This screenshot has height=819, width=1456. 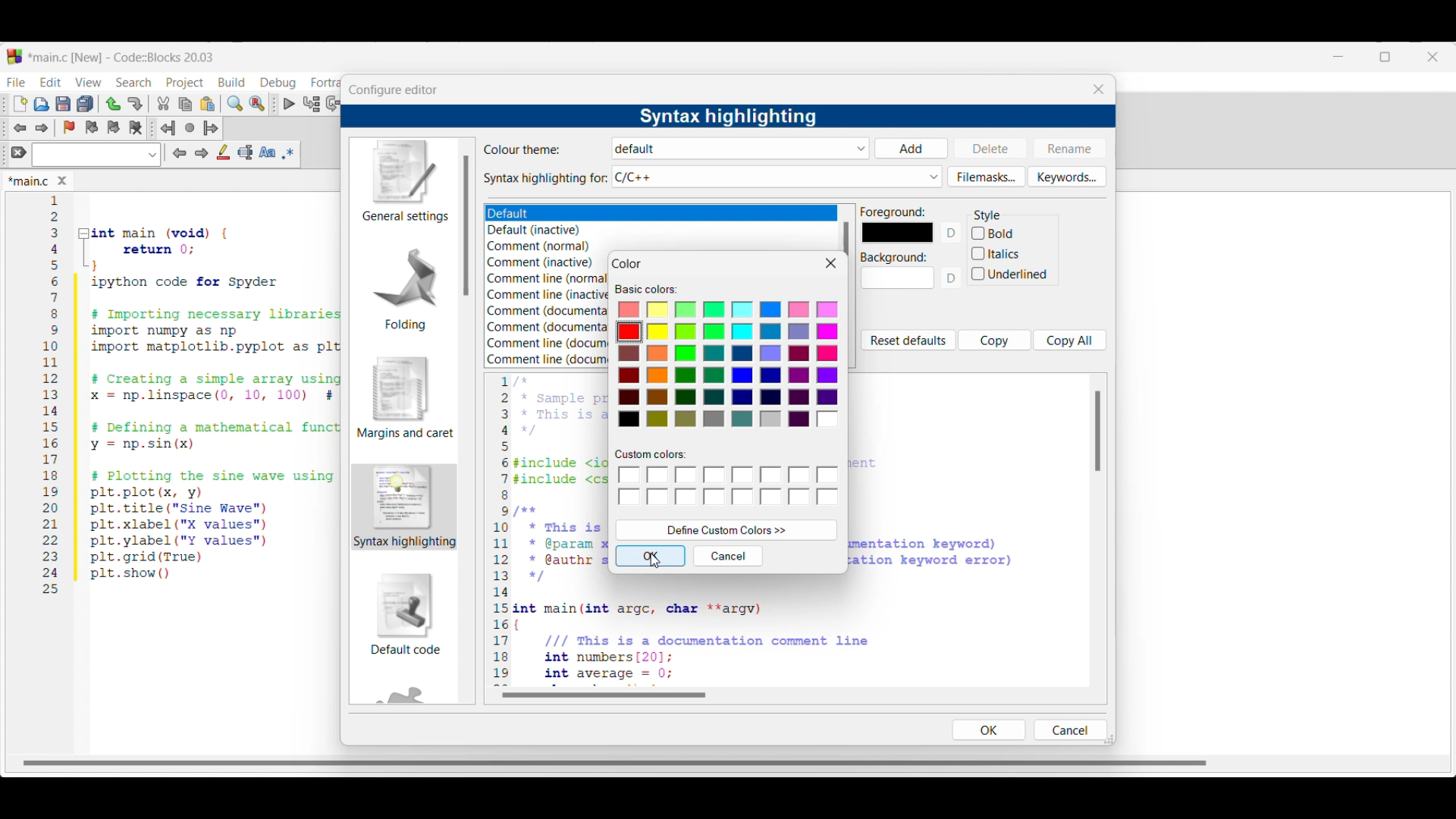 What do you see at coordinates (662, 563) in the screenshot?
I see `cursor` at bounding box center [662, 563].